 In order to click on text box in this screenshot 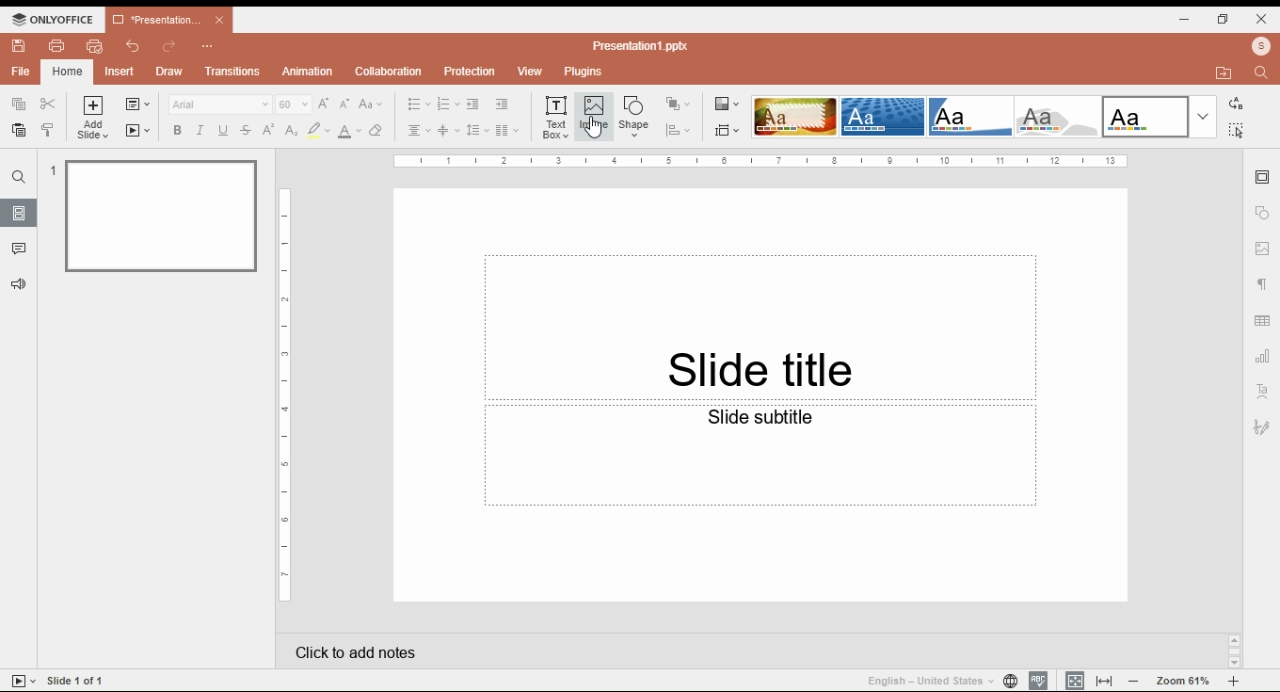, I will do `click(759, 455)`.